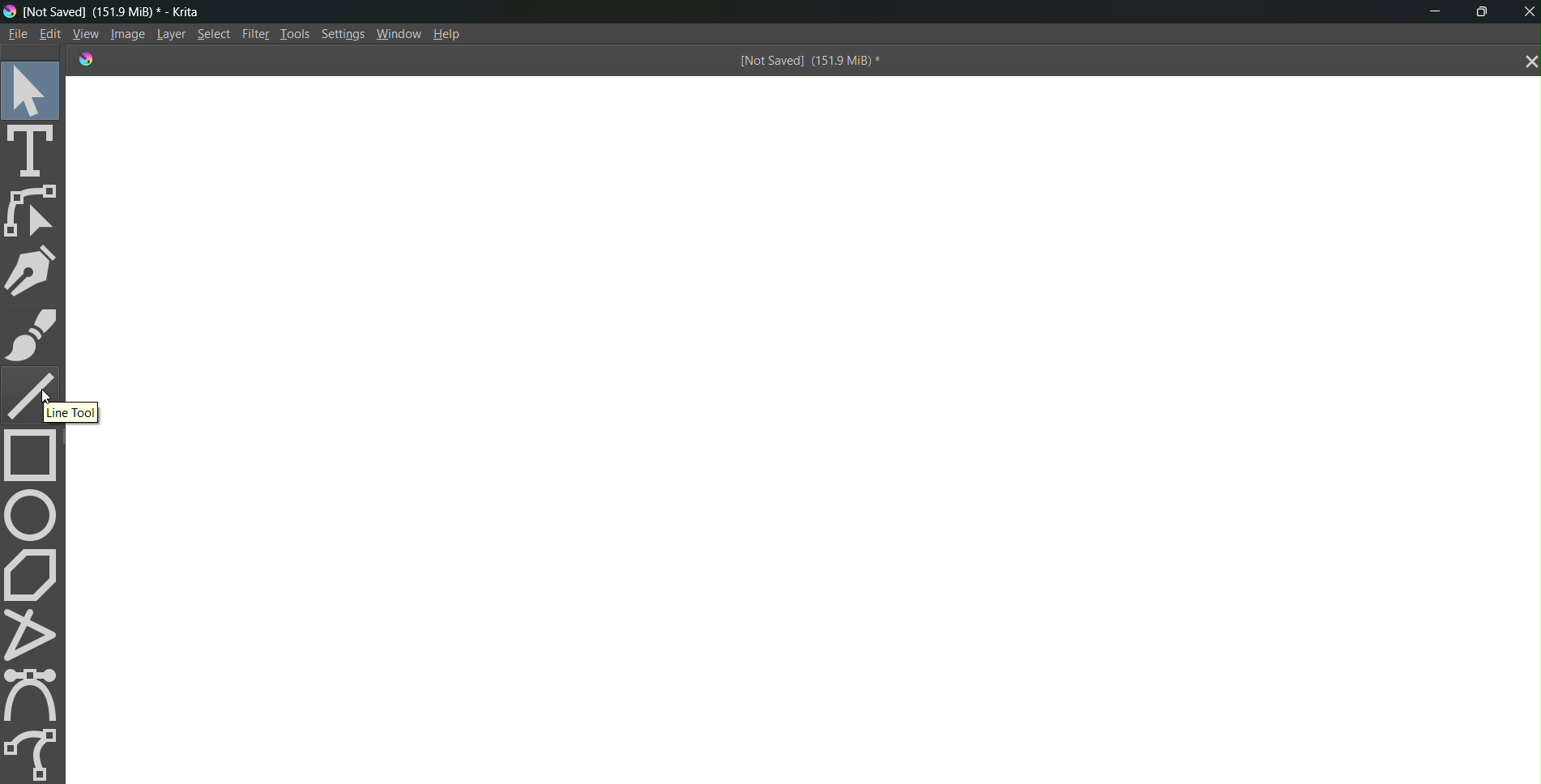  What do you see at coordinates (36, 457) in the screenshot?
I see `rectangle` at bounding box center [36, 457].